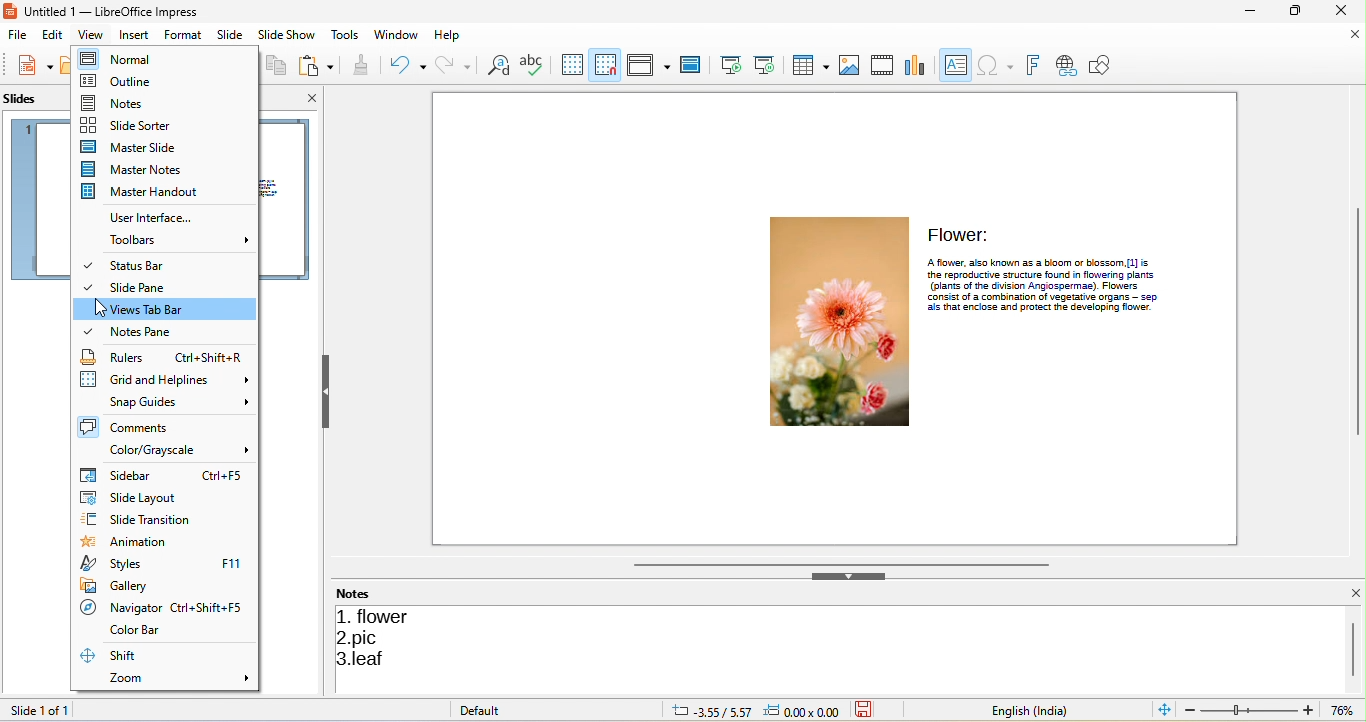  Describe the element at coordinates (327, 391) in the screenshot. I see `hide left side bar` at that location.